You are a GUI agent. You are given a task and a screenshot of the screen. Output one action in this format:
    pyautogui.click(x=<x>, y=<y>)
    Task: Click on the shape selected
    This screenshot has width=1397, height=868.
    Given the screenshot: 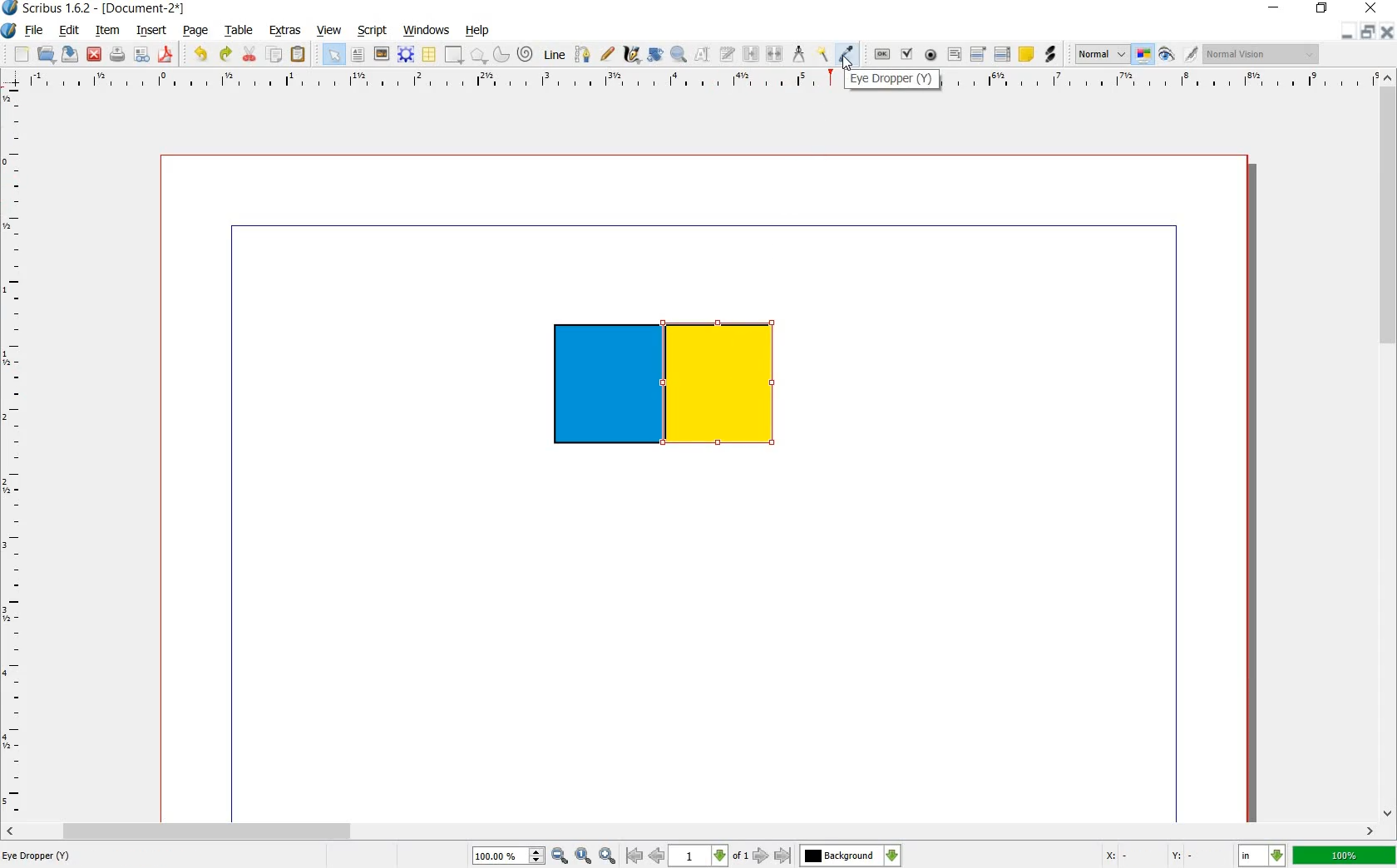 What is the action you would take?
    pyautogui.click(x=727, y=387)
    